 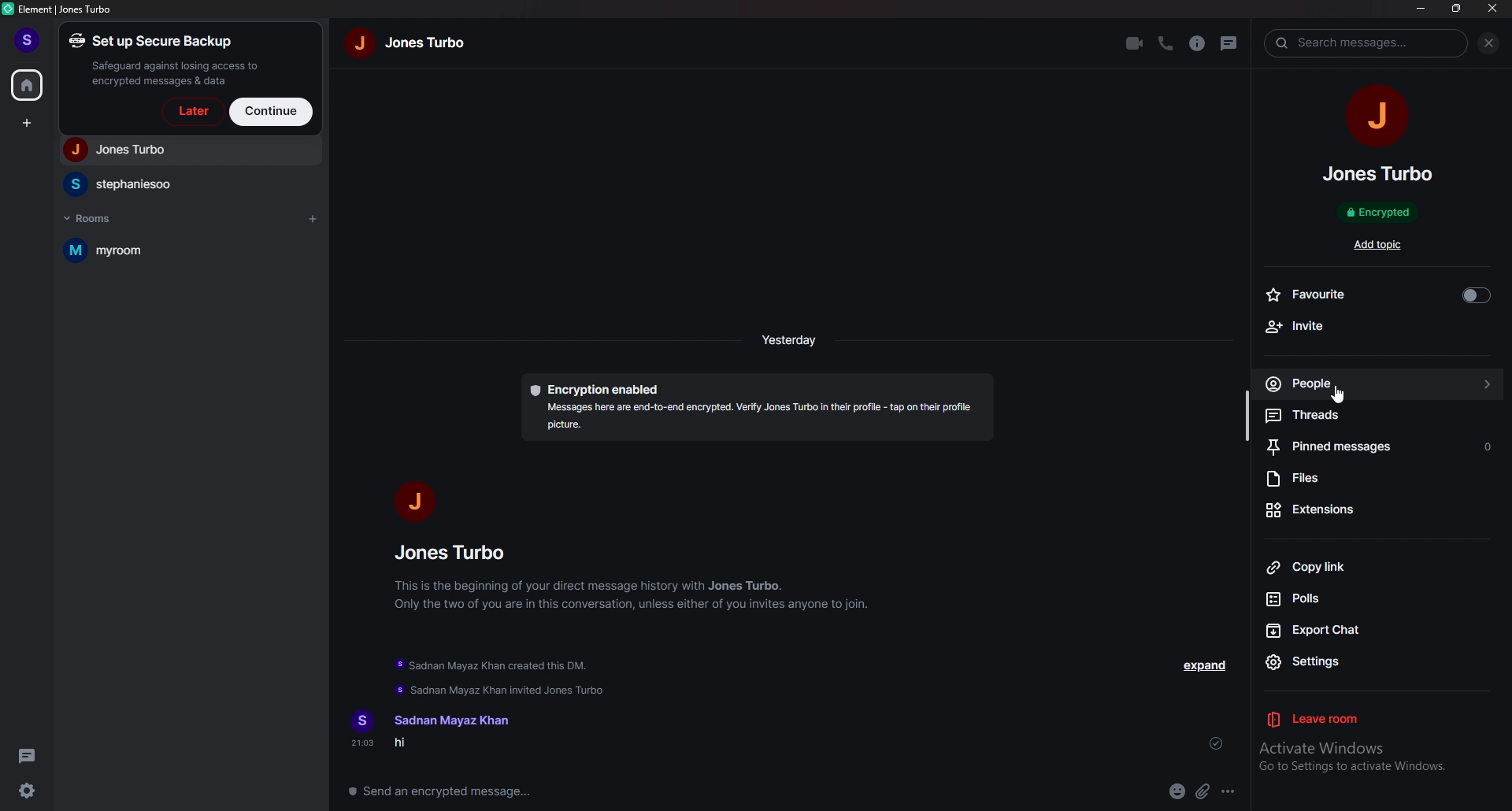 I want to click on name, so click(x=449, y=720).